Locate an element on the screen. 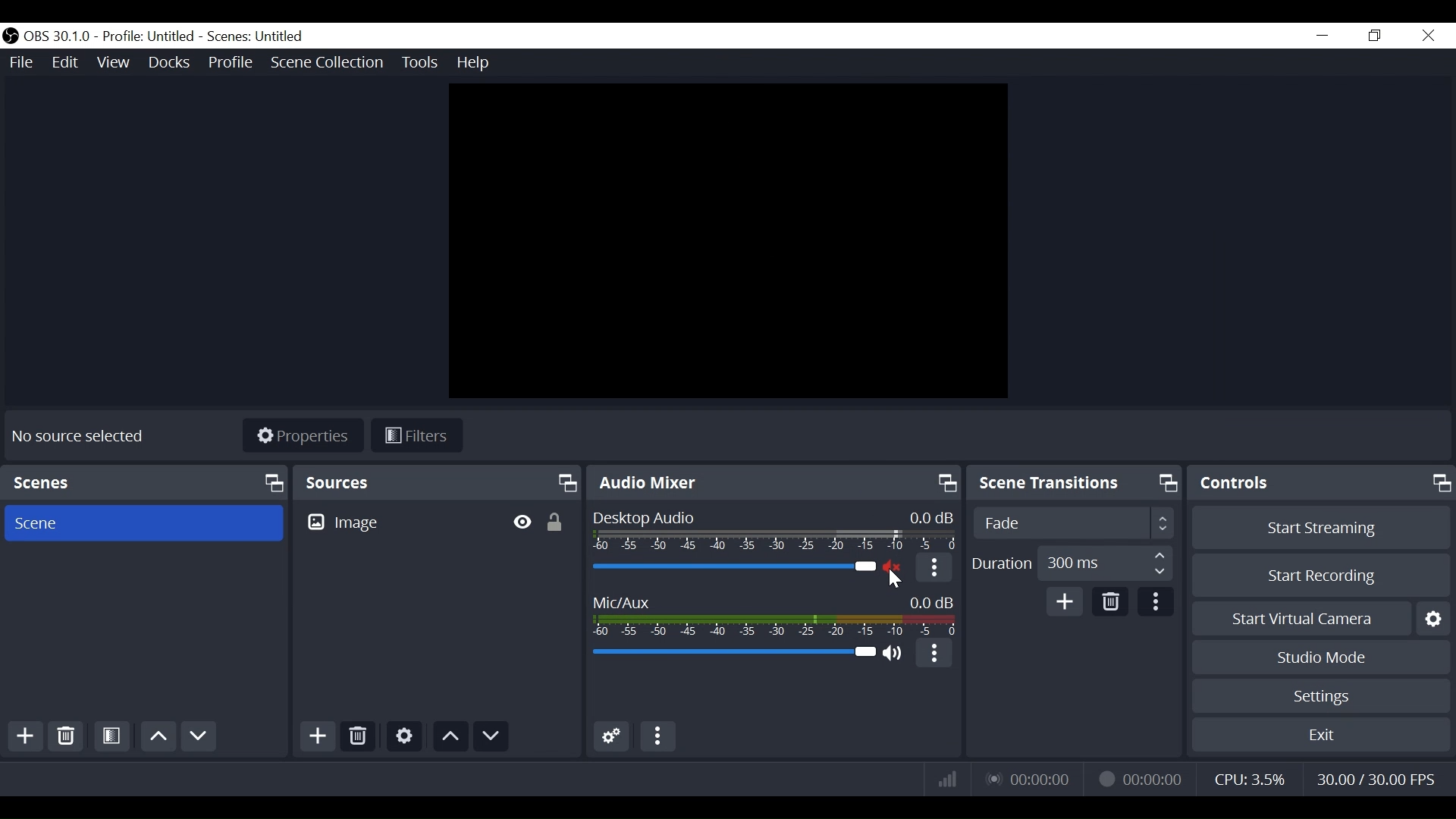  Mic/Aux is located at coordinates (776, 615).